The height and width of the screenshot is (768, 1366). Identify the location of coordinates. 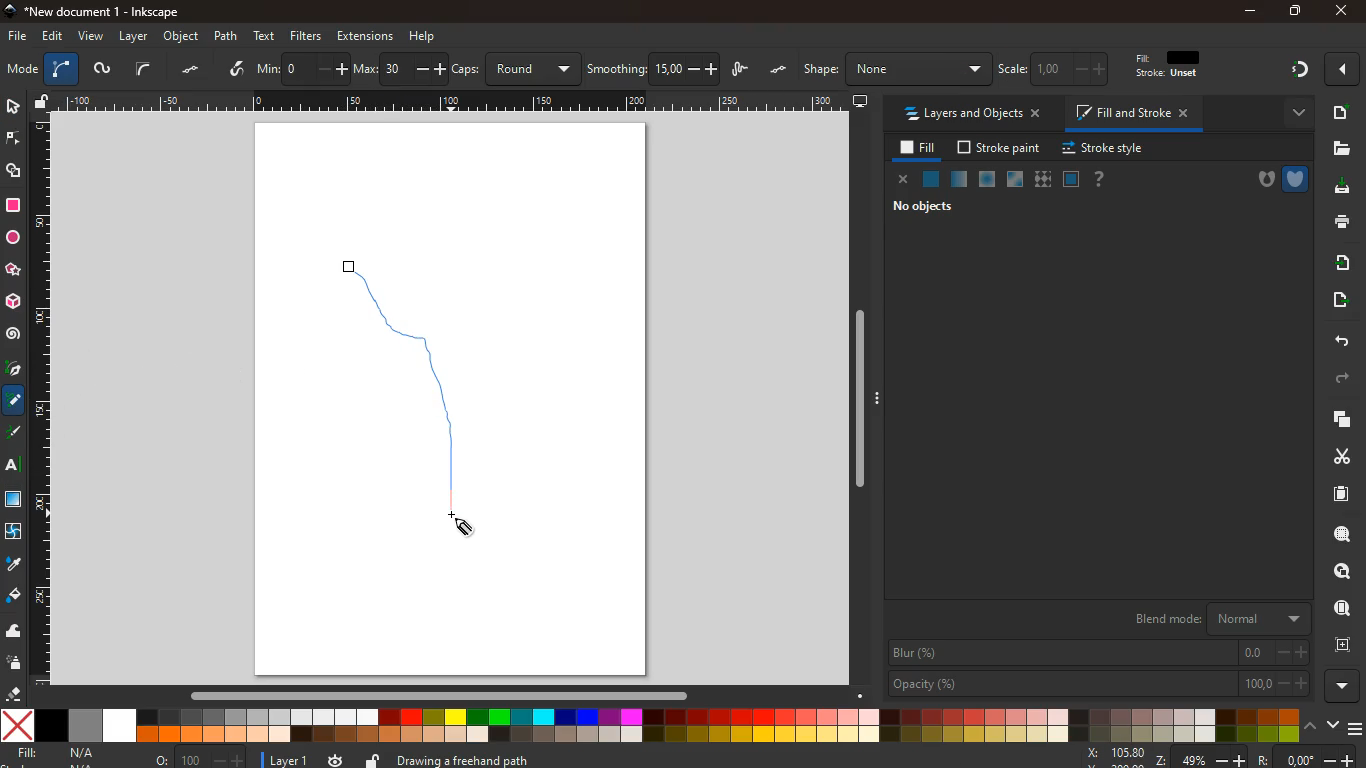
(582, 69).